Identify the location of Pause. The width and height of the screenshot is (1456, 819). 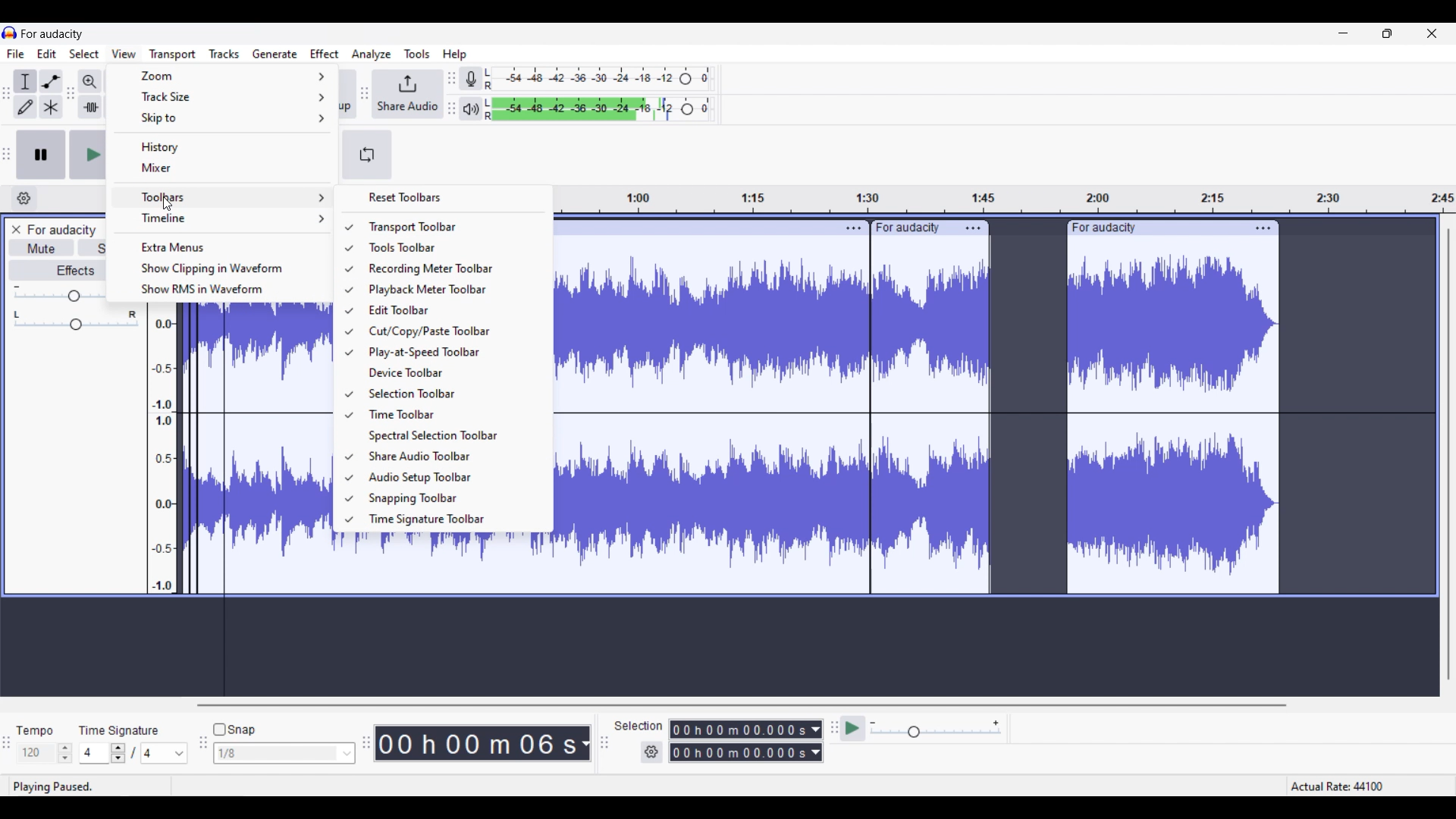
(41, 155).